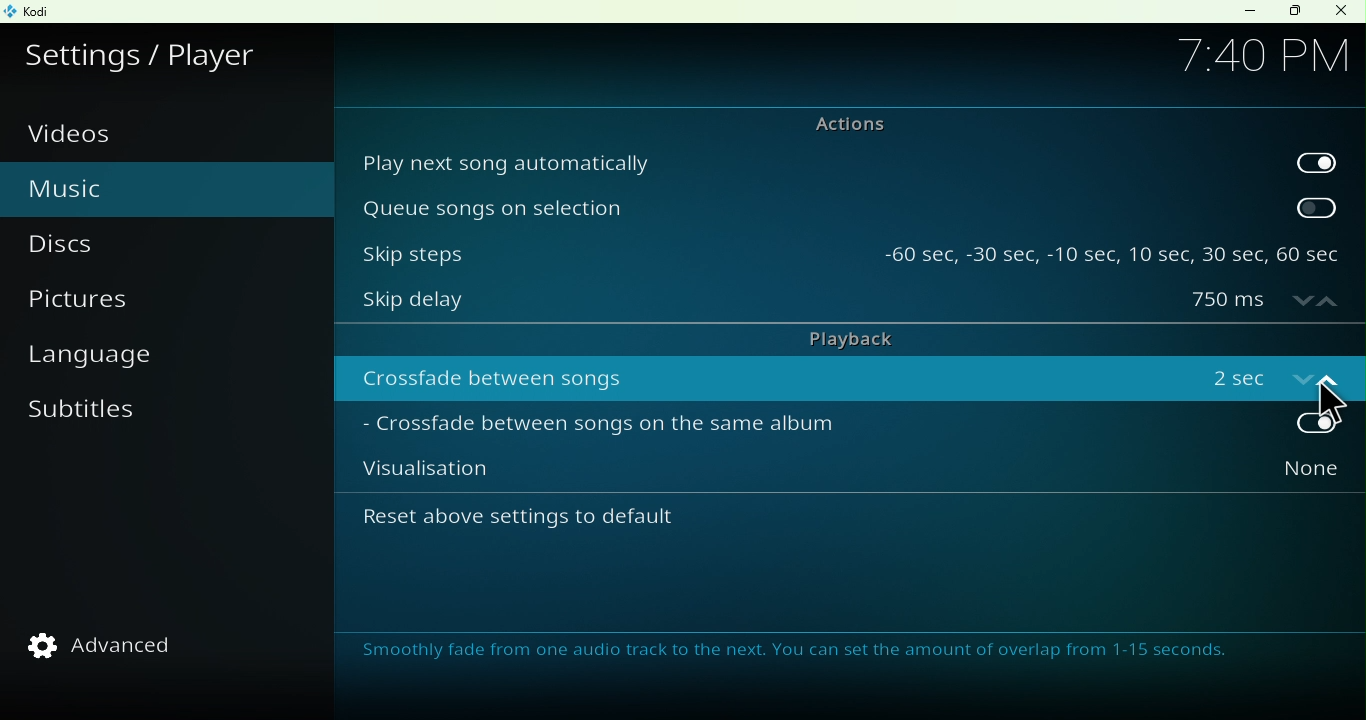  Describe the element at coordinates (1267, 475) in the screenshot. I see `None` at that location.